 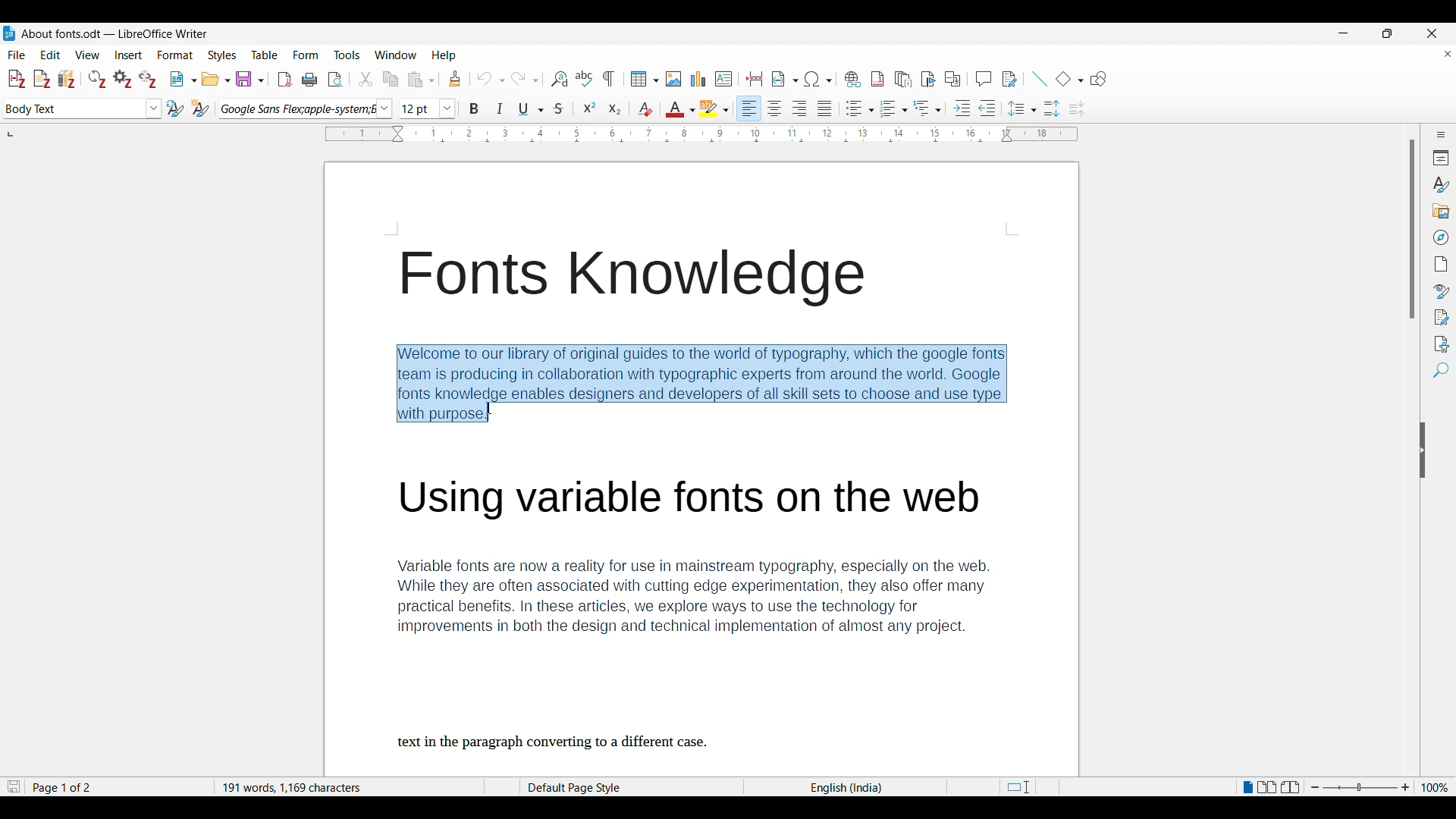 What do you see at coordinates (645, 109) in the screenshot?
I see `Clear direct formatting` at bounding box center [645, 109].